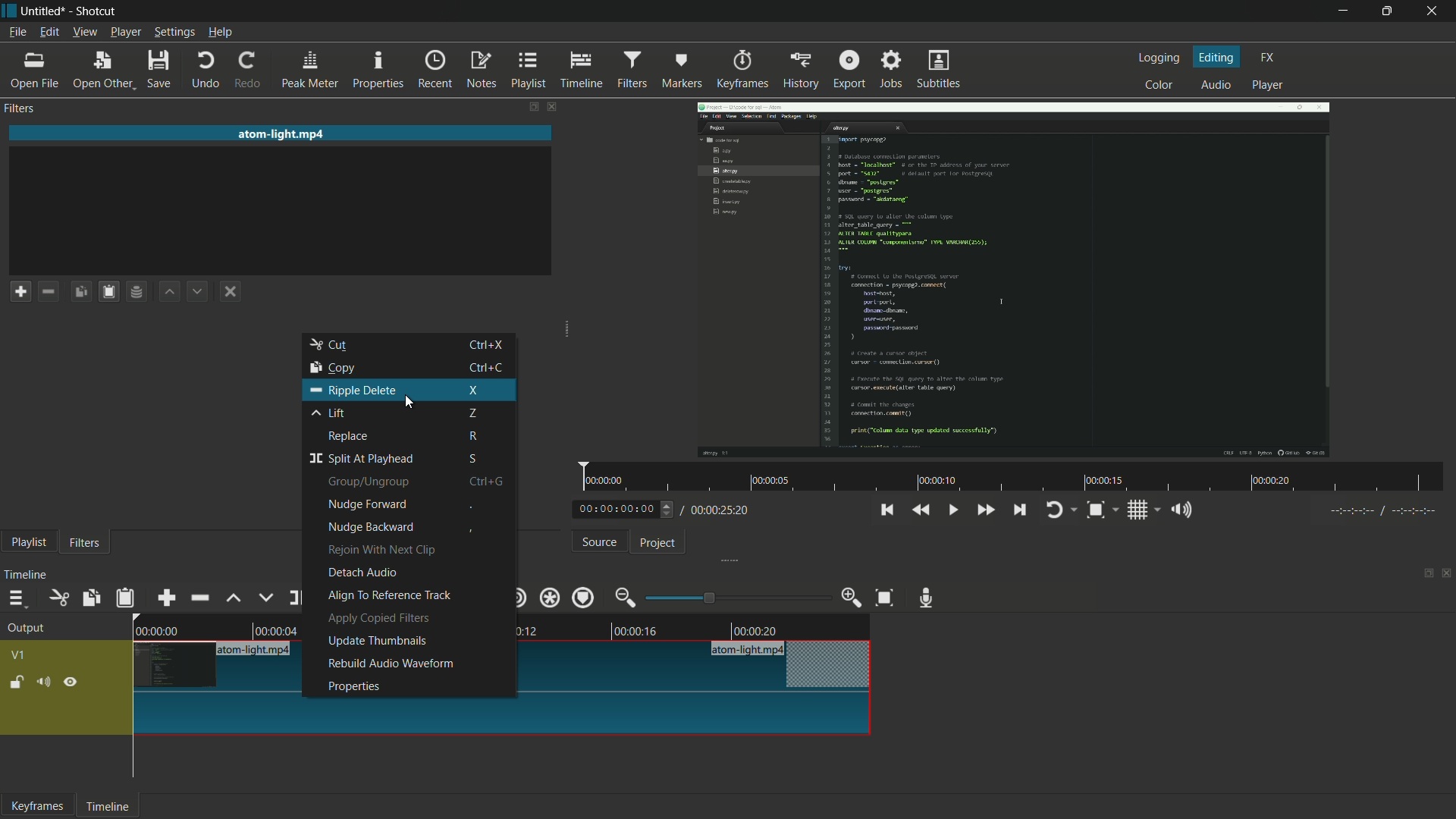 The height and width of the screenshot is (819, 1456). What do you see at coordinates (583, 598) in the screenshot?
I see `ripple marker` at bounding box center [583, 598].